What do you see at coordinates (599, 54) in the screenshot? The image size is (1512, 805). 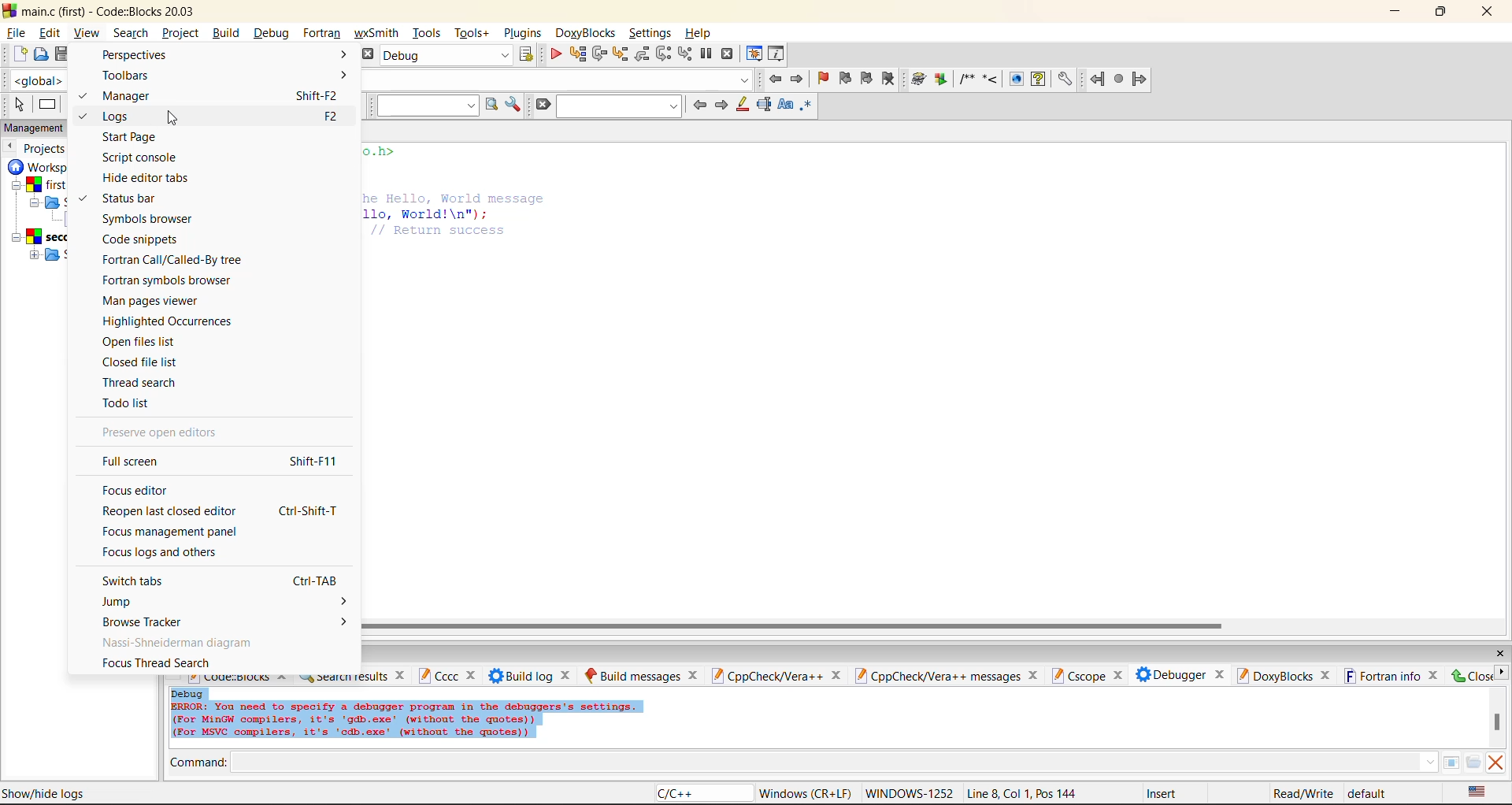 I see `next line` at bounding box center [599, 54].